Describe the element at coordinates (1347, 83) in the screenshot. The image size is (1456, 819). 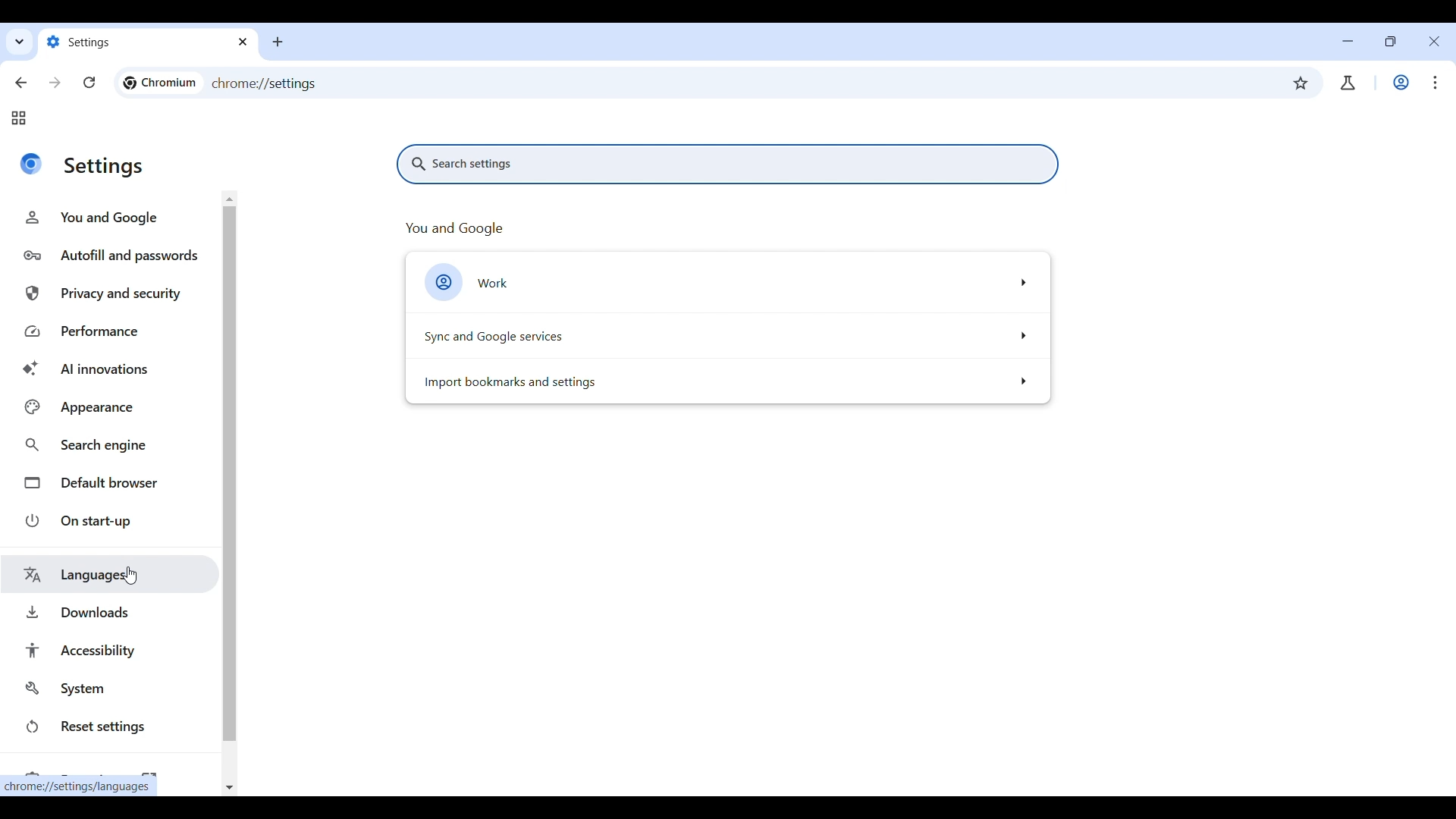
I see `account/user profile` at that location.